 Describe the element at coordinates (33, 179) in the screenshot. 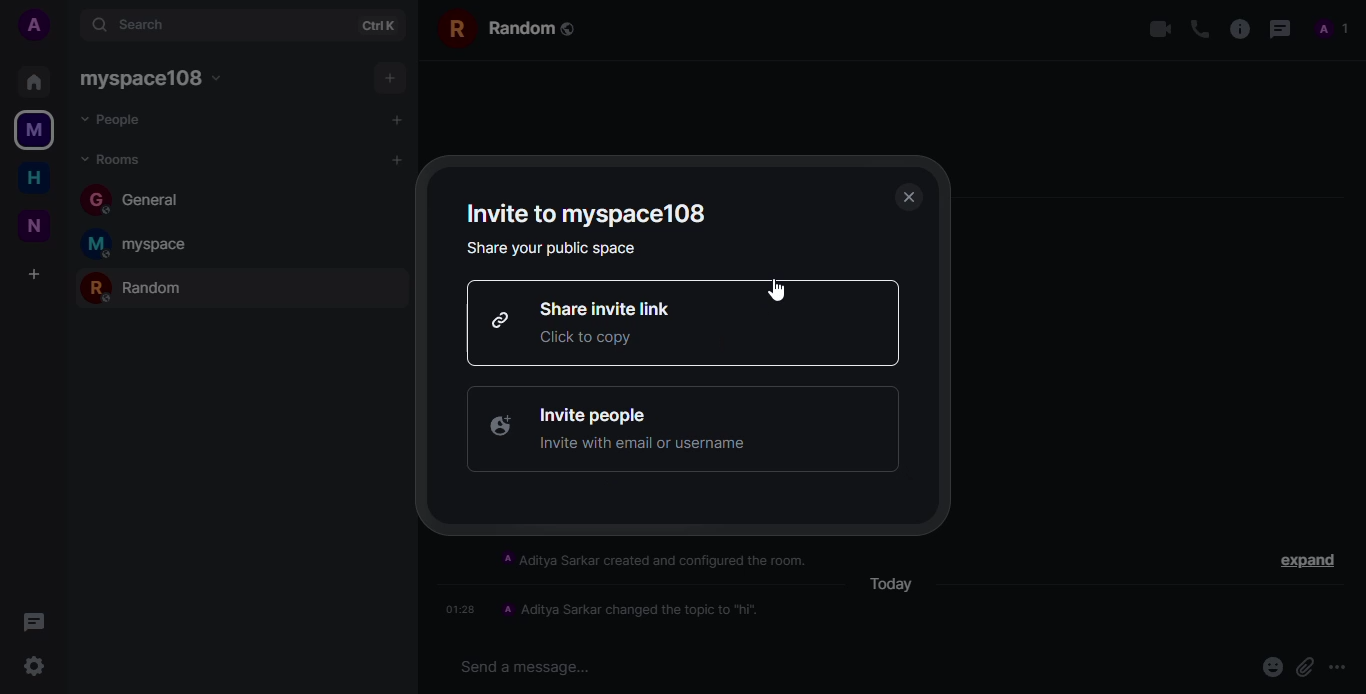

I see `home` at that location.